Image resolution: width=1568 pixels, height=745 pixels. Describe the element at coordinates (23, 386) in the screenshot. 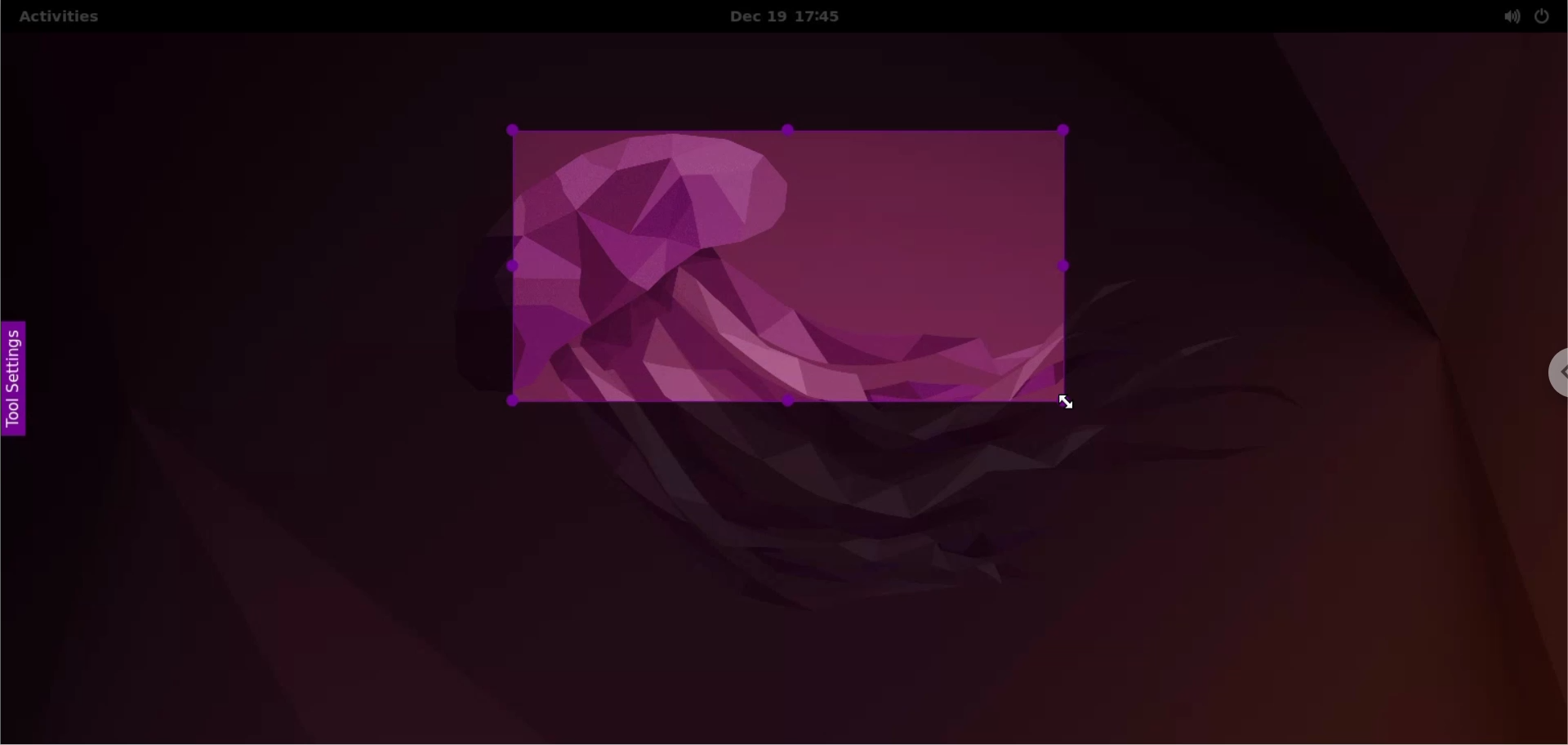

I see `tool settings` at that location.